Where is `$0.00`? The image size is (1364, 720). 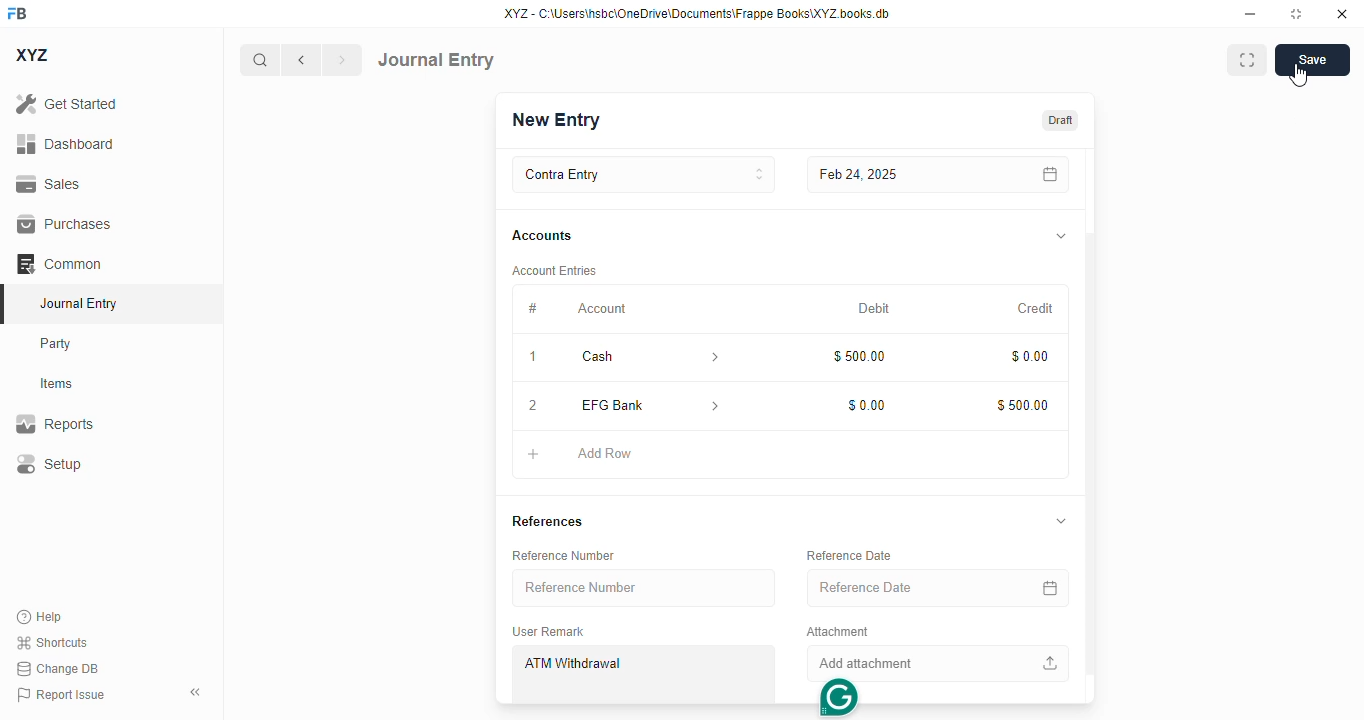
$0.00 is located at coordinates (1028, 354).